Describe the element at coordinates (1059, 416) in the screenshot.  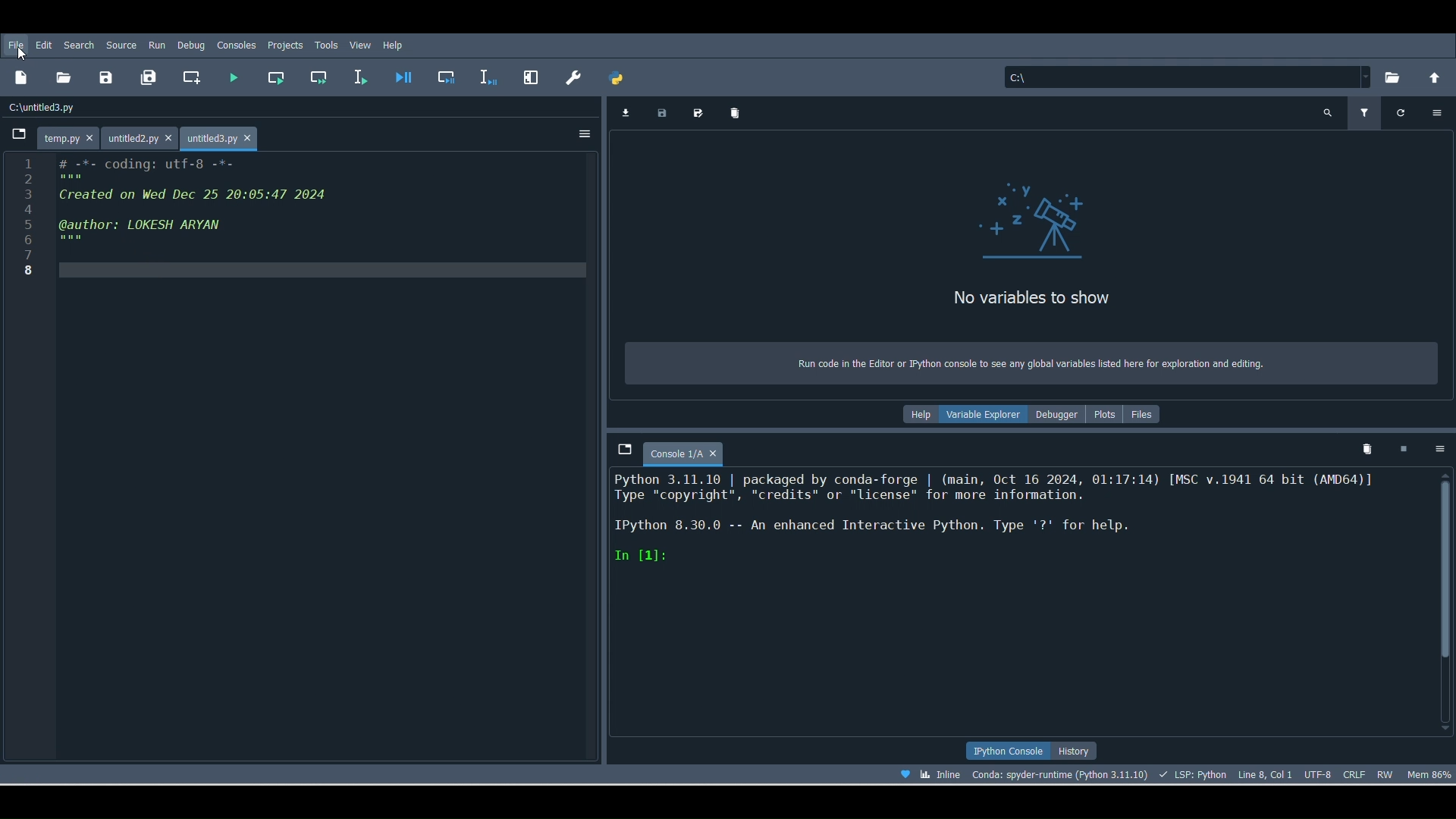
I see `Debugger` at that location.